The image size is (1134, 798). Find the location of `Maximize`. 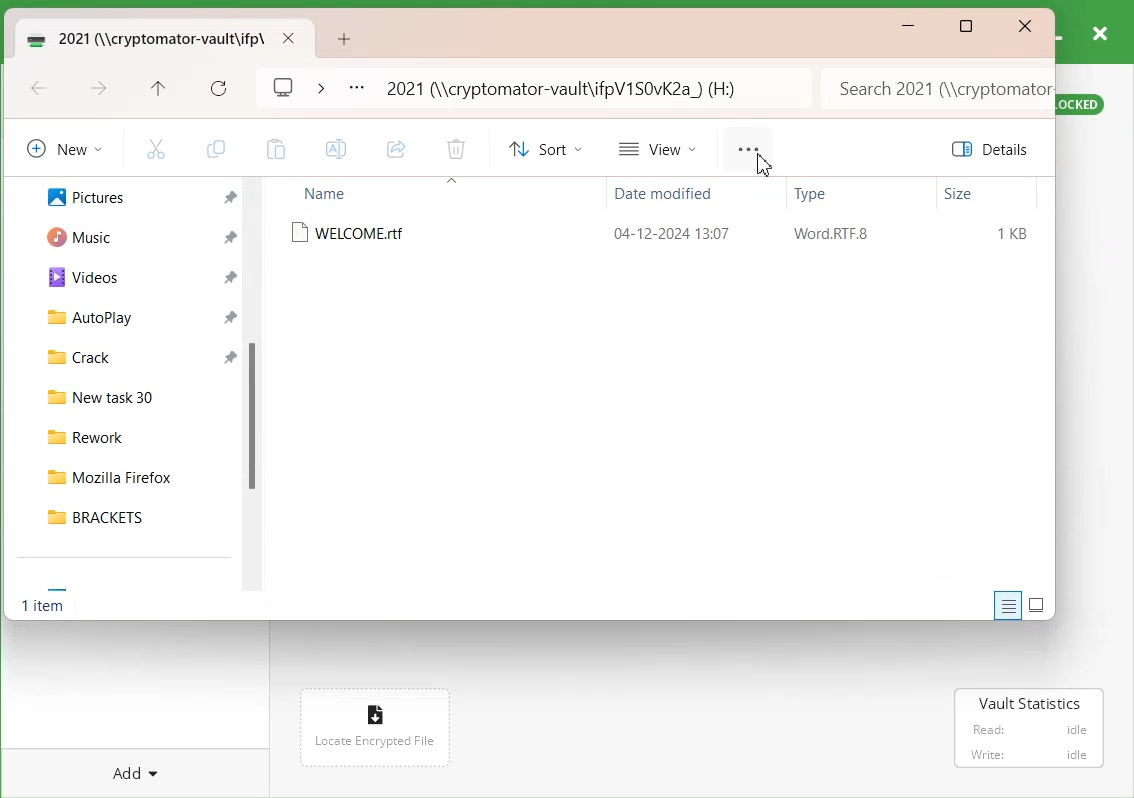

Maximize is located at coordinates (967, 28).